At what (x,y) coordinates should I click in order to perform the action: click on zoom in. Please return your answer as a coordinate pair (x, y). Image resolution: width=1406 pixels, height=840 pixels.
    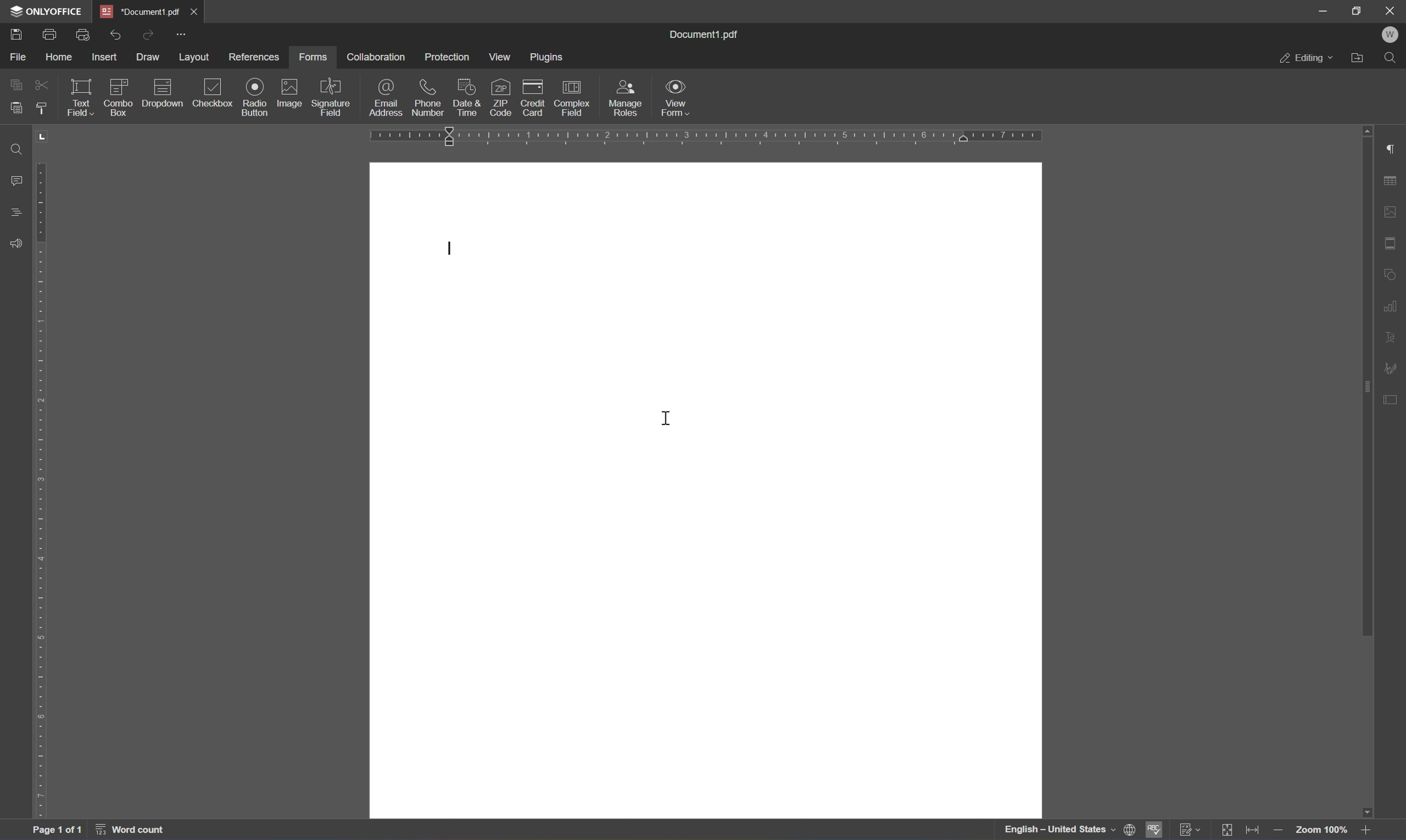
    Looking at the image, I should click on (1366, 831).